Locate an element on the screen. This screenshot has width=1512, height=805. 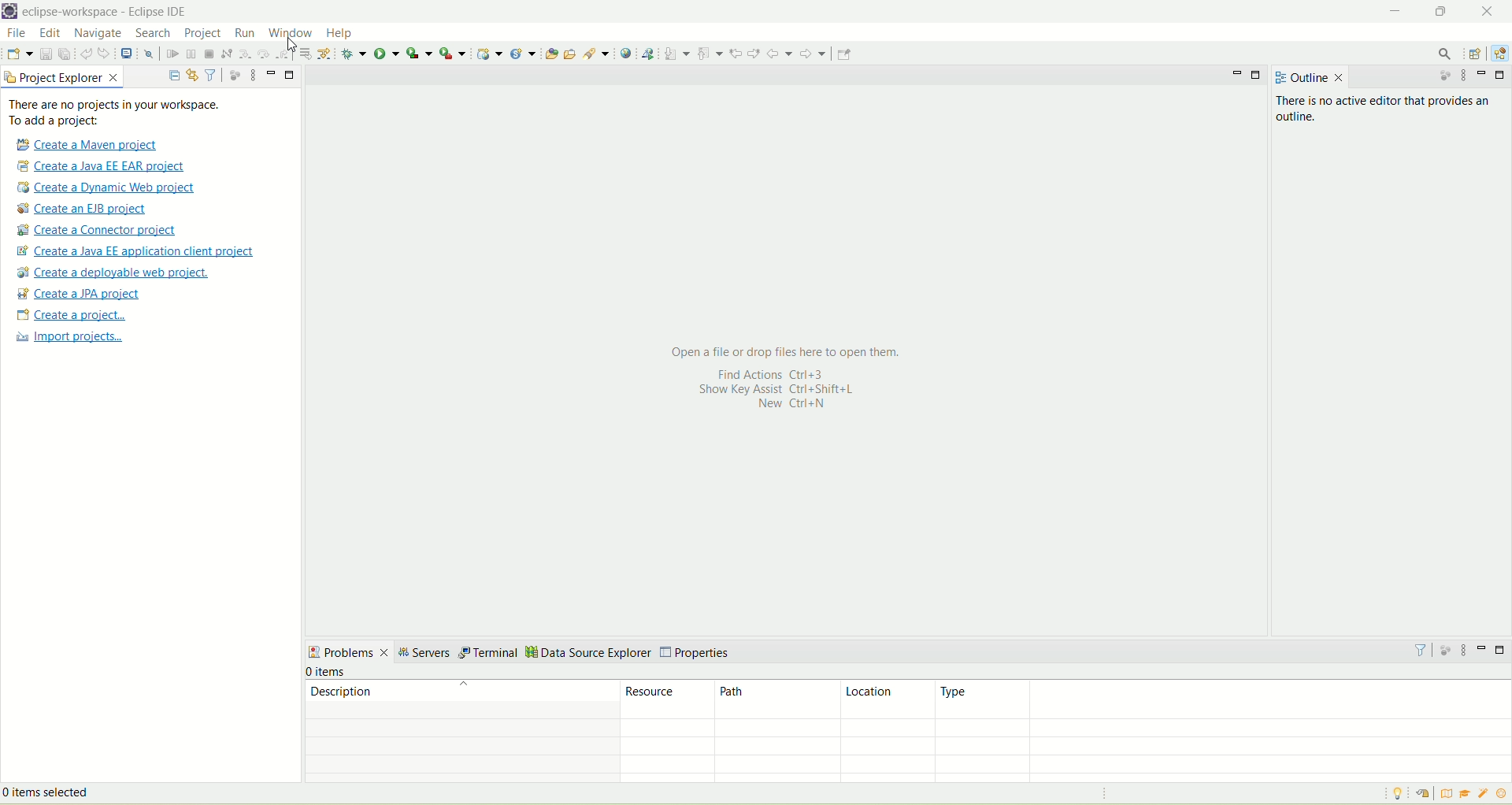
problems is located at coordinates (348, 654).